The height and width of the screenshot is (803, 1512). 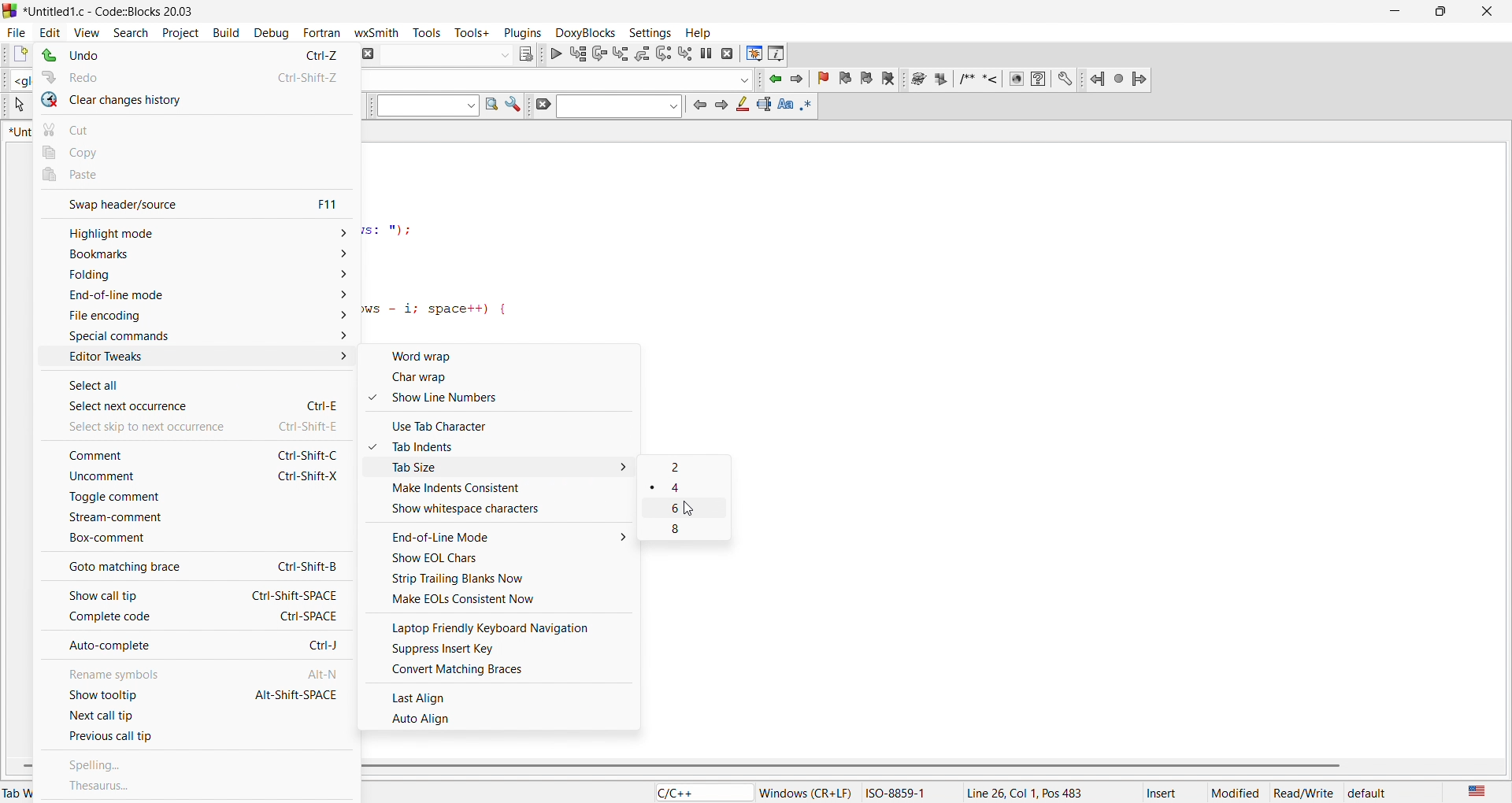 I want to click on tab indents, so click(x=507, y=447).